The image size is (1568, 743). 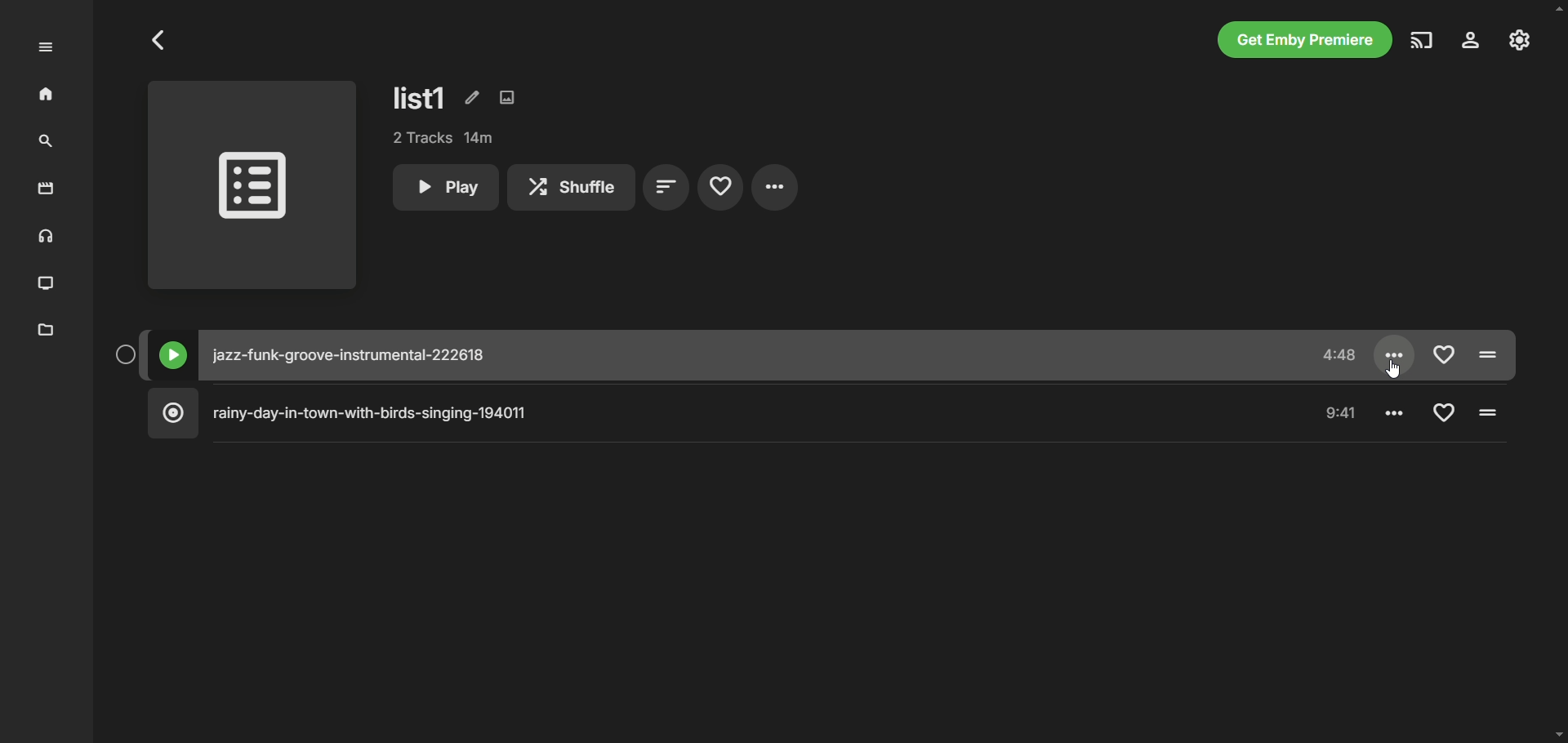 I want to click on Add to favorite, so click(x=1444, y=355).